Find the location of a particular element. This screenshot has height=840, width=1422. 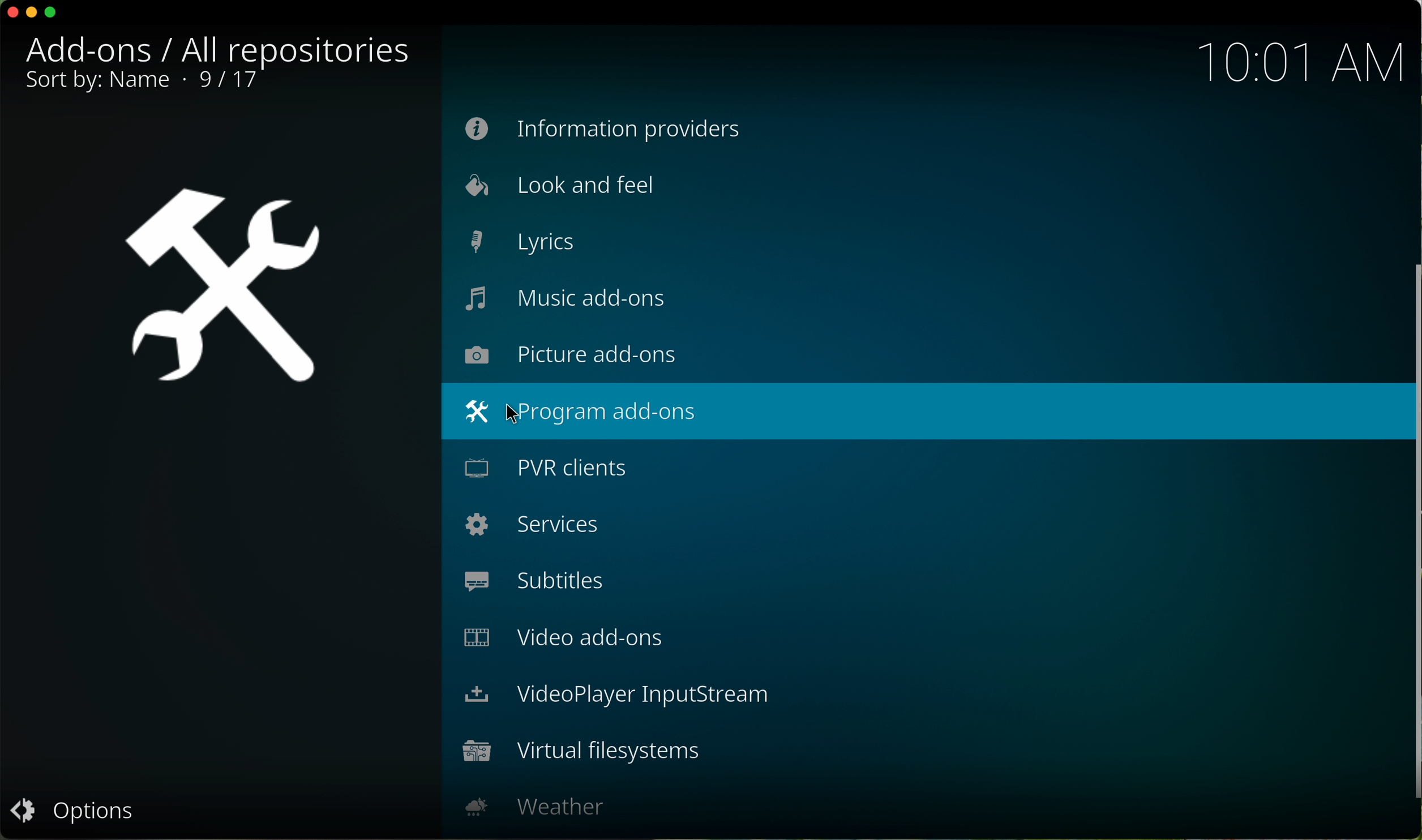

pvr clients is located at coordinates (541, 467).